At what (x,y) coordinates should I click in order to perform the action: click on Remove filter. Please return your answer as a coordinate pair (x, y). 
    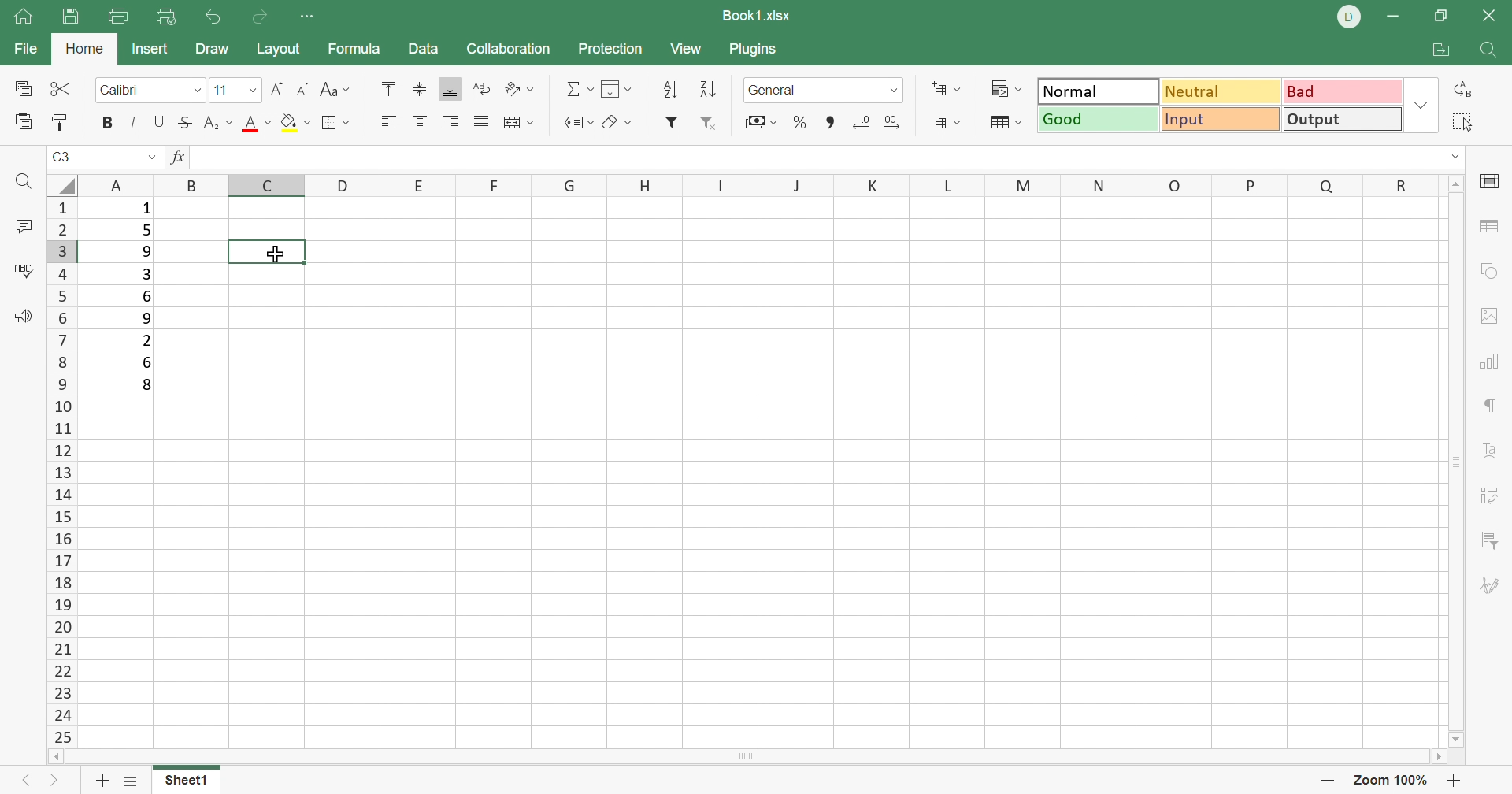
    Looking at the image, I should click on (706, 121).